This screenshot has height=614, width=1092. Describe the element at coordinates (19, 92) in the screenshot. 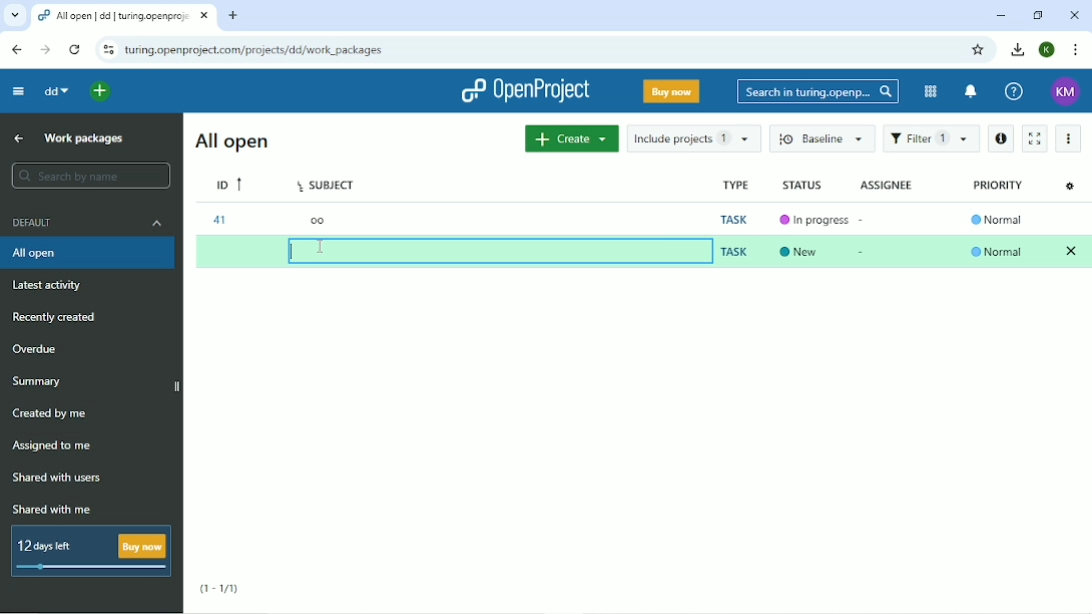

I see `Collapse project menu` at that location.